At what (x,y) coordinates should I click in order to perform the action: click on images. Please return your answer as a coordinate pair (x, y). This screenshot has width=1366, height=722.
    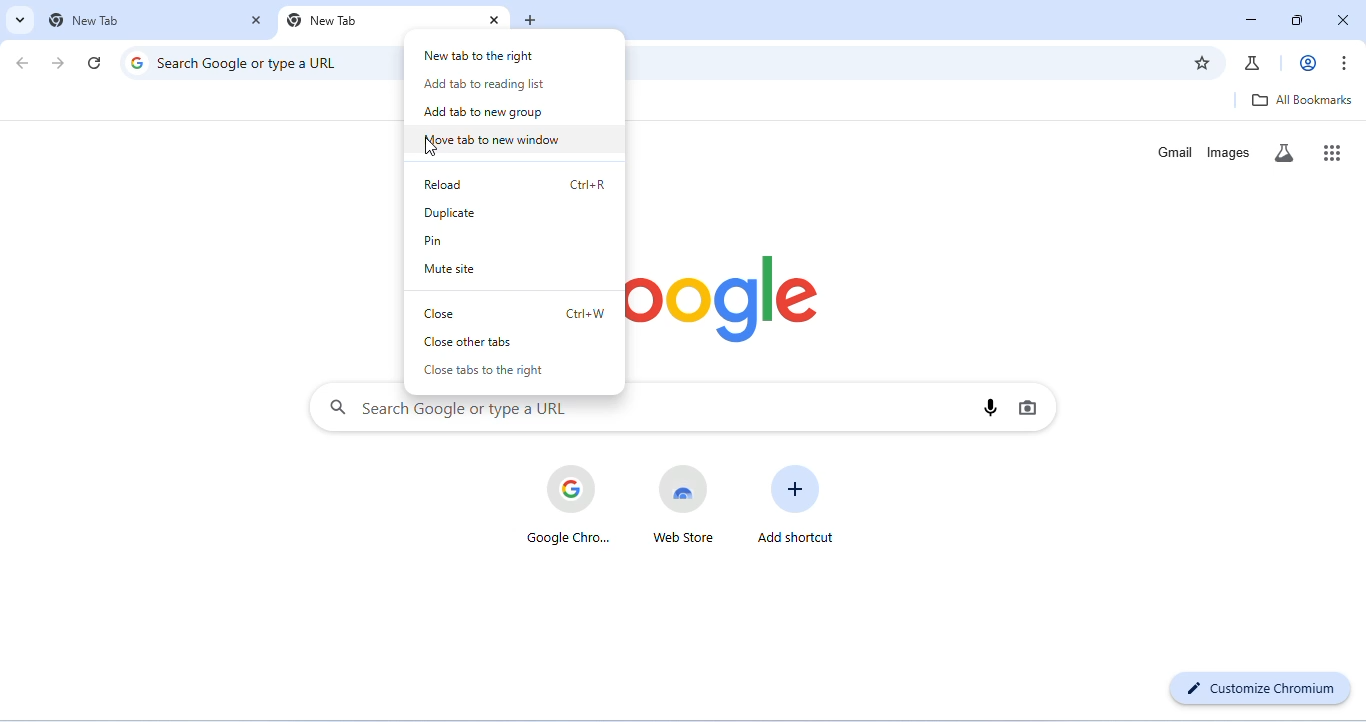
    Looking at the image, I should click on (1230, 152).